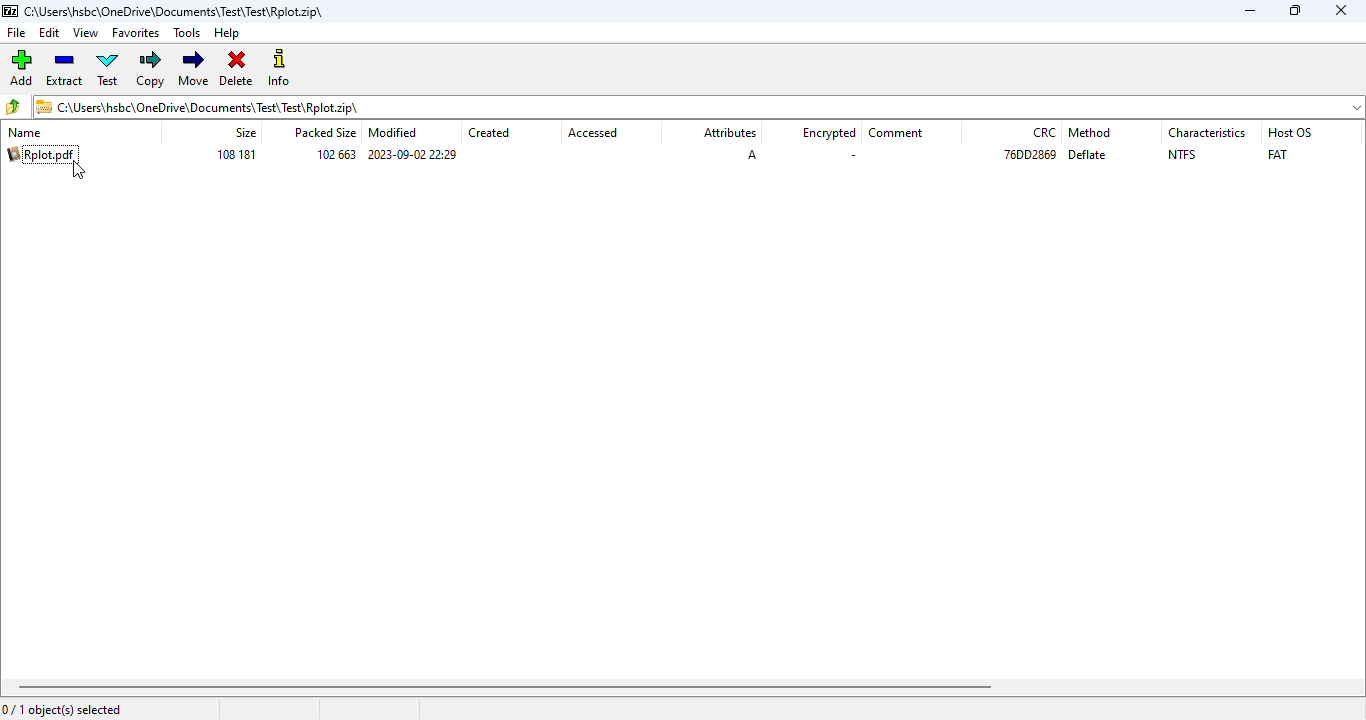  What do you see at coordinates (897, 133) in the screenshot?
I see `comment` at bounding box center [897, 133].